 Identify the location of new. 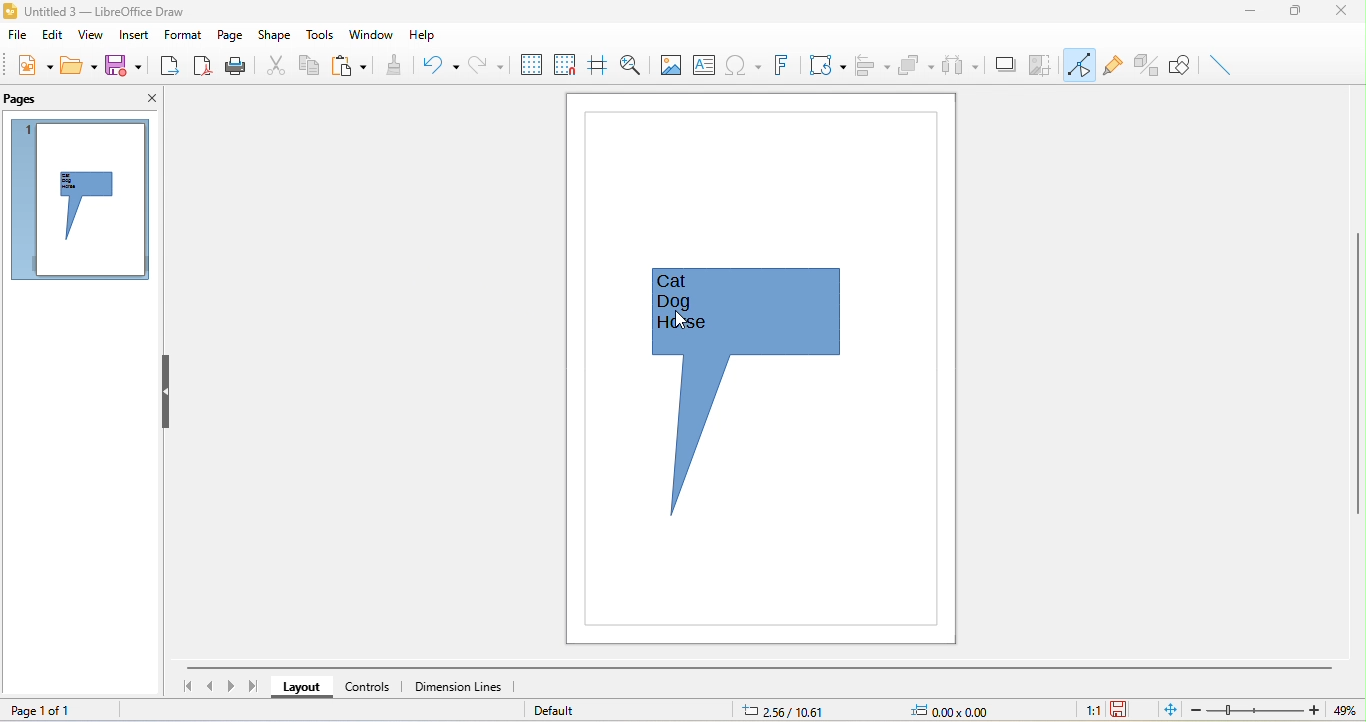
(28, 65).